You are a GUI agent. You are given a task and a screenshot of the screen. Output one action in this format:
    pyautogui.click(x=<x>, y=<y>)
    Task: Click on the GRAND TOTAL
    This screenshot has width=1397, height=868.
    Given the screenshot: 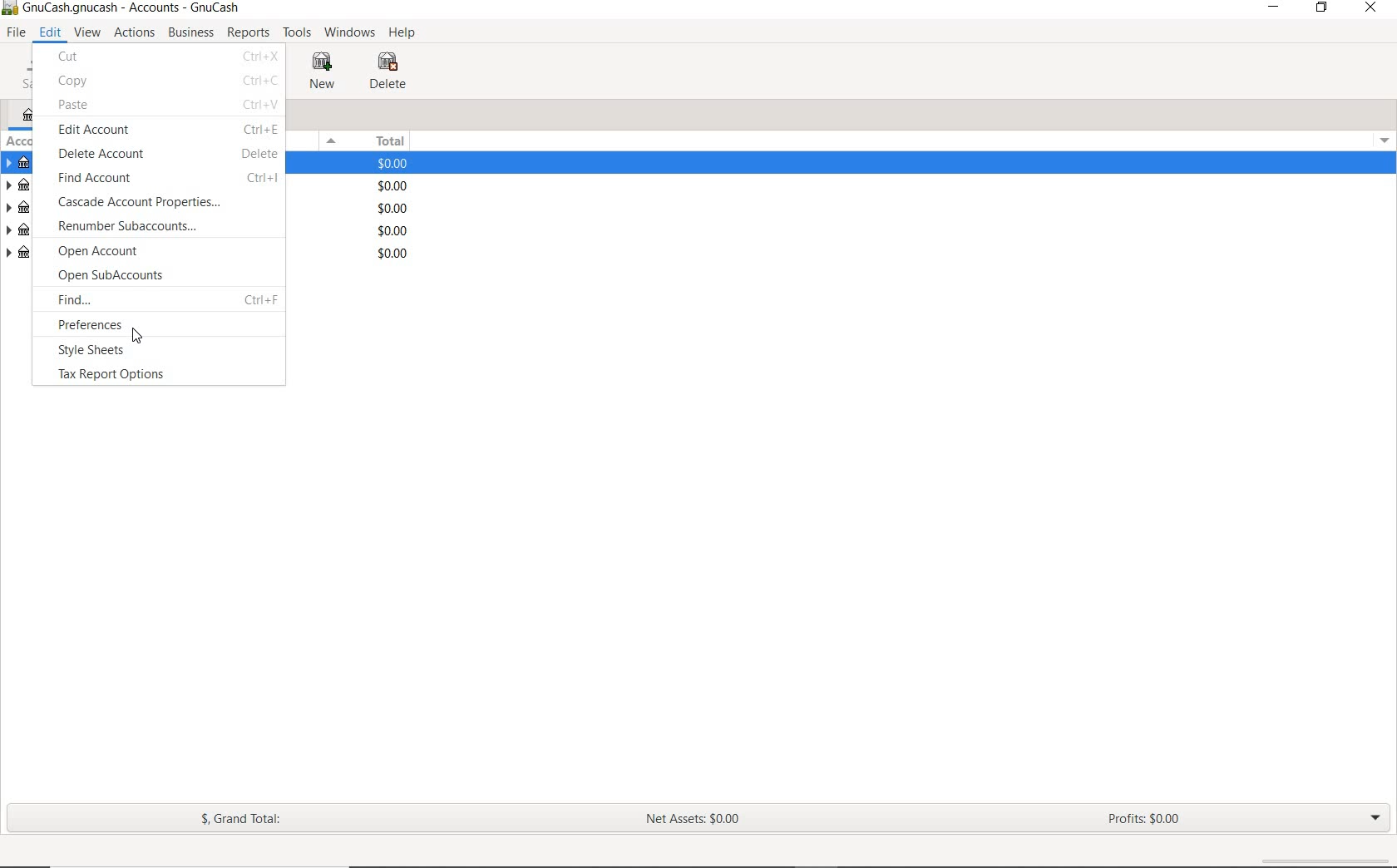 What is the action you would take?
    pyautogui.click(x=243, y=820)
    